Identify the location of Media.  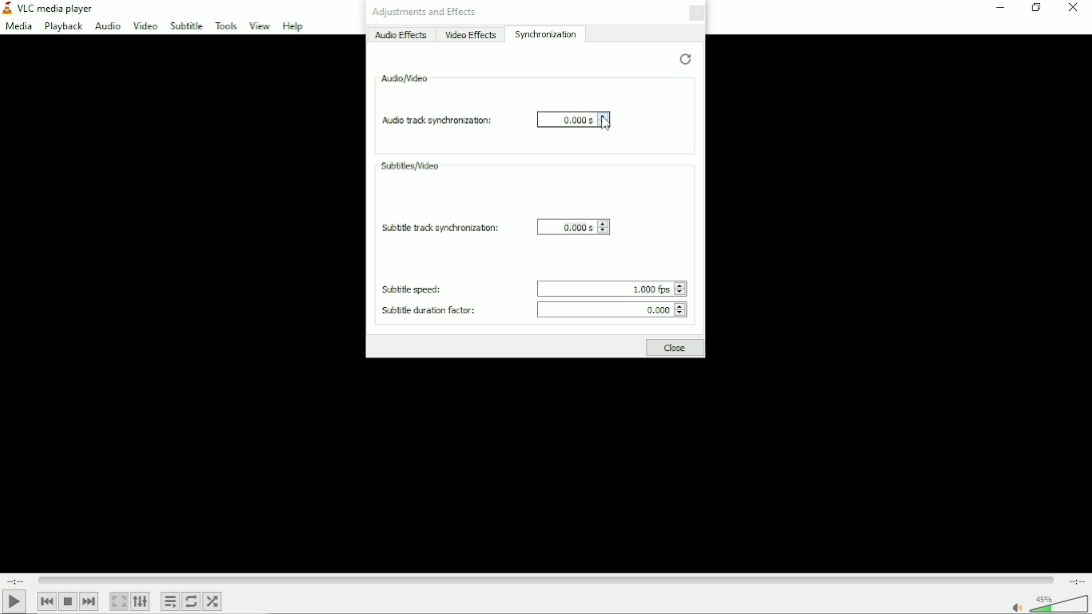
(18, 27).